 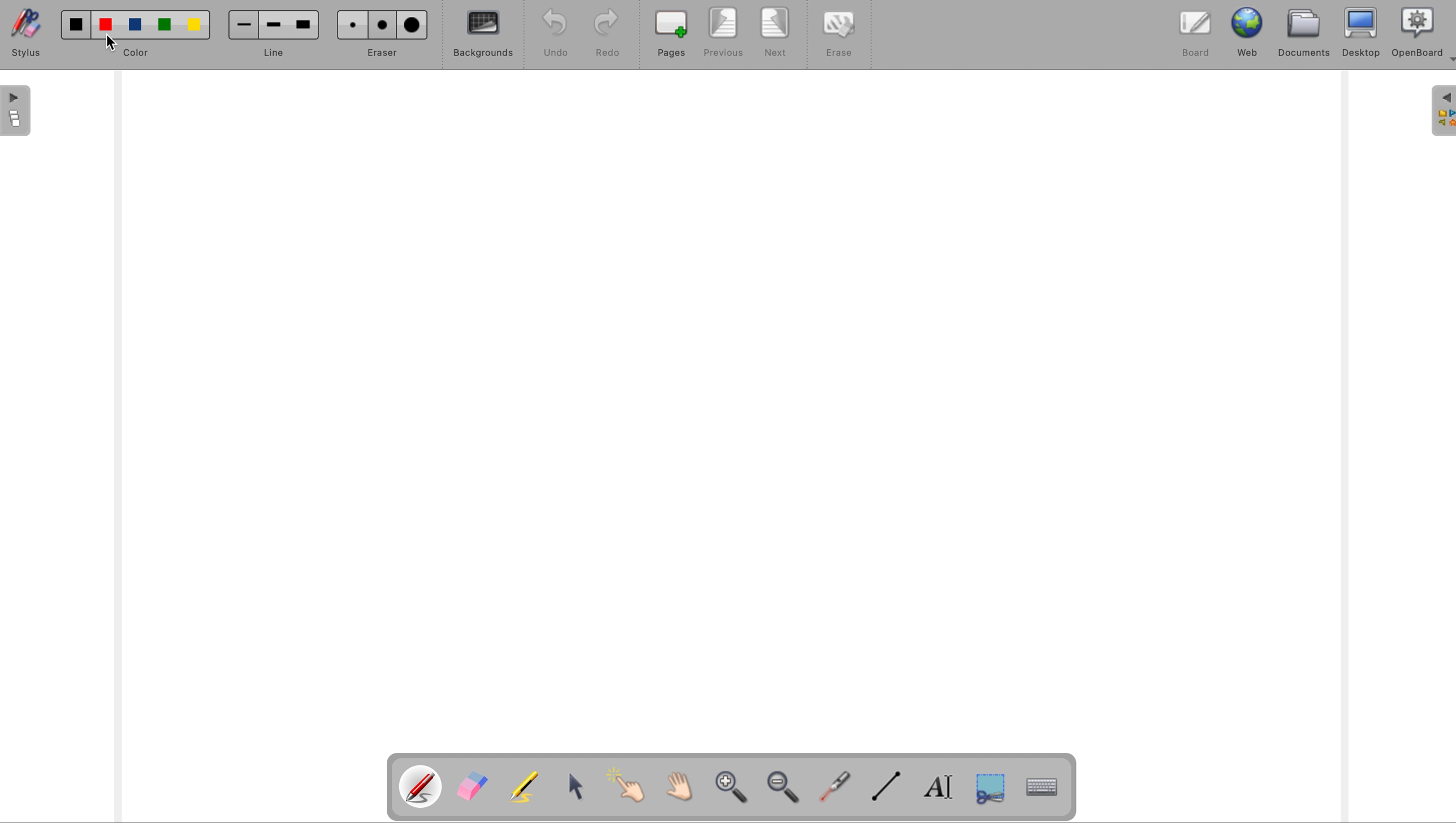 What do you see at coordinates (608, 34) in the screenshot?
I see `redo` at bounding box center [608, 34].